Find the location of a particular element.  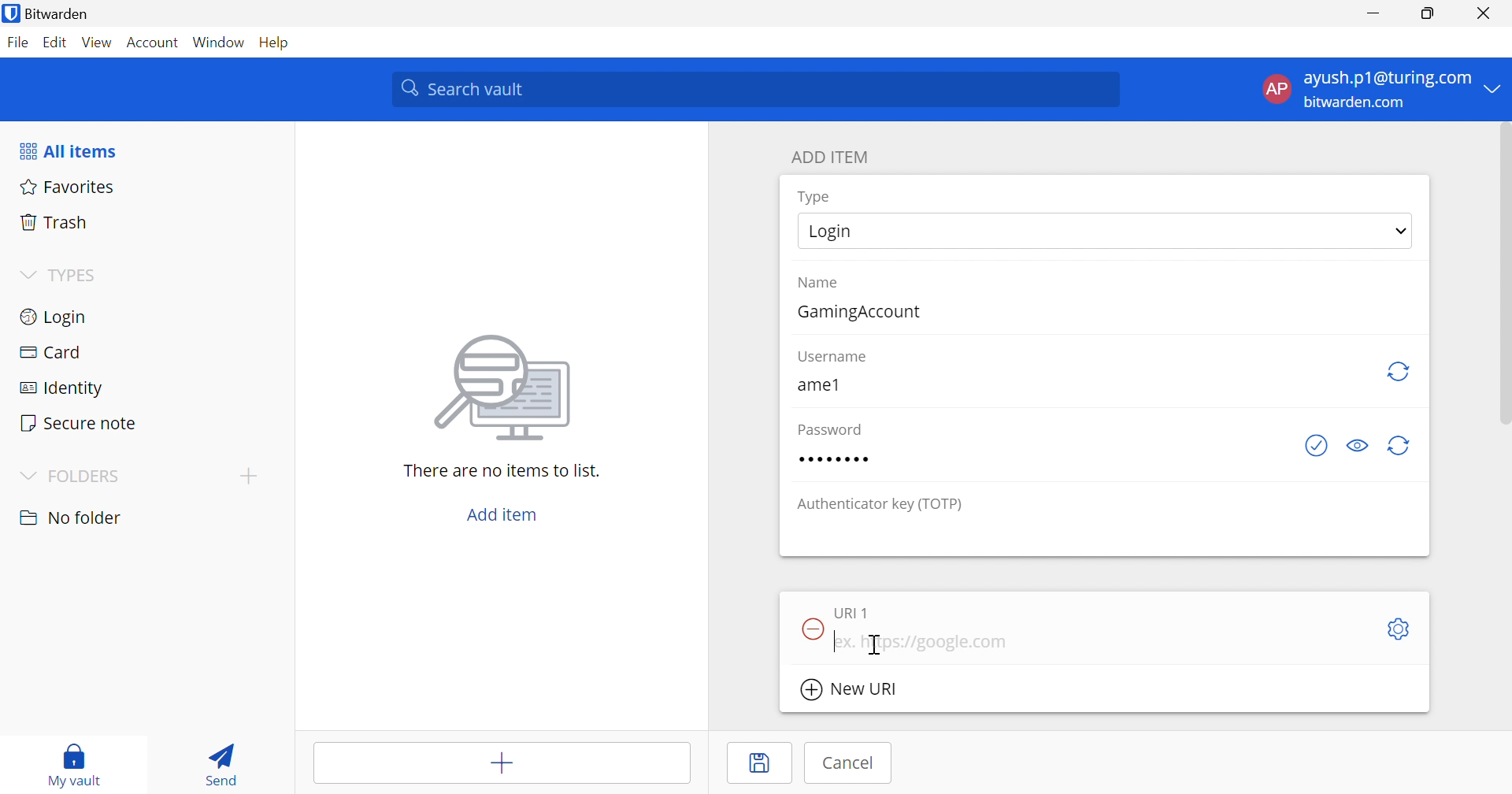

bitwarden.com is located at coordinates (1355, 103).